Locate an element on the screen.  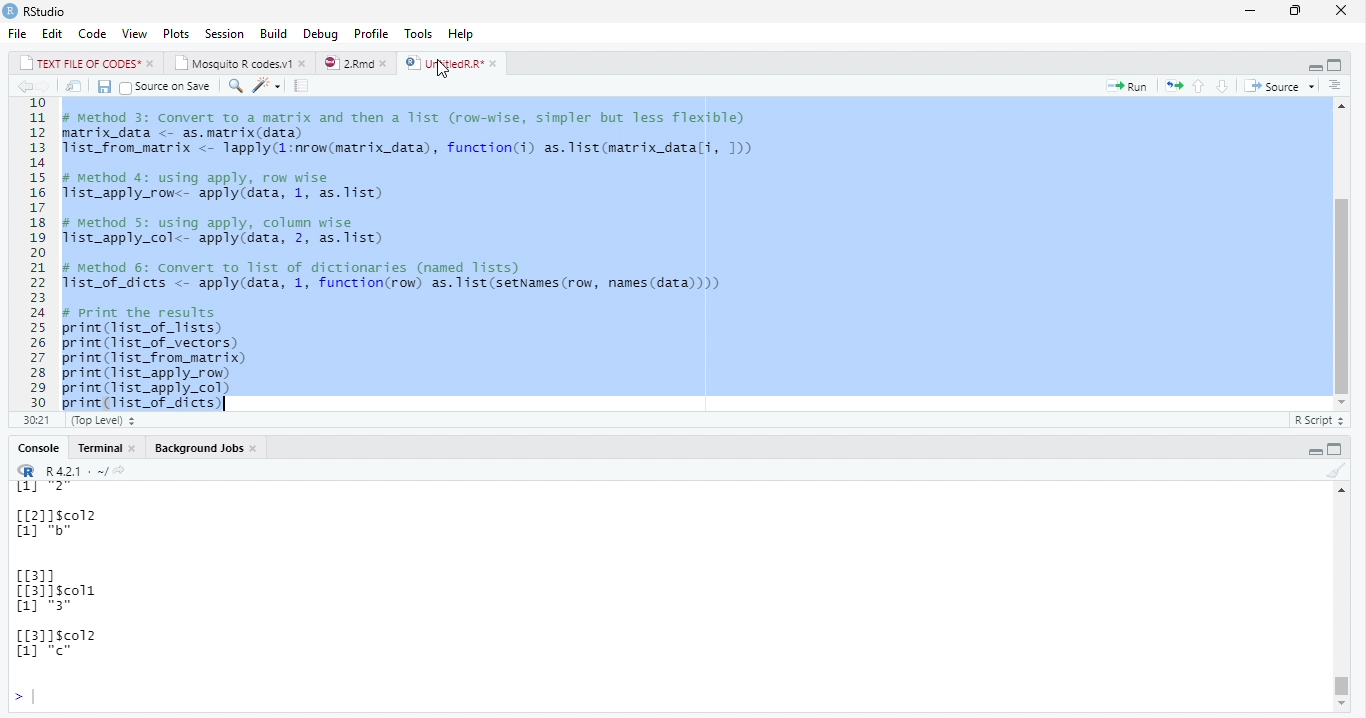
re-run the previous code region is located at coordinates (1171, 87).